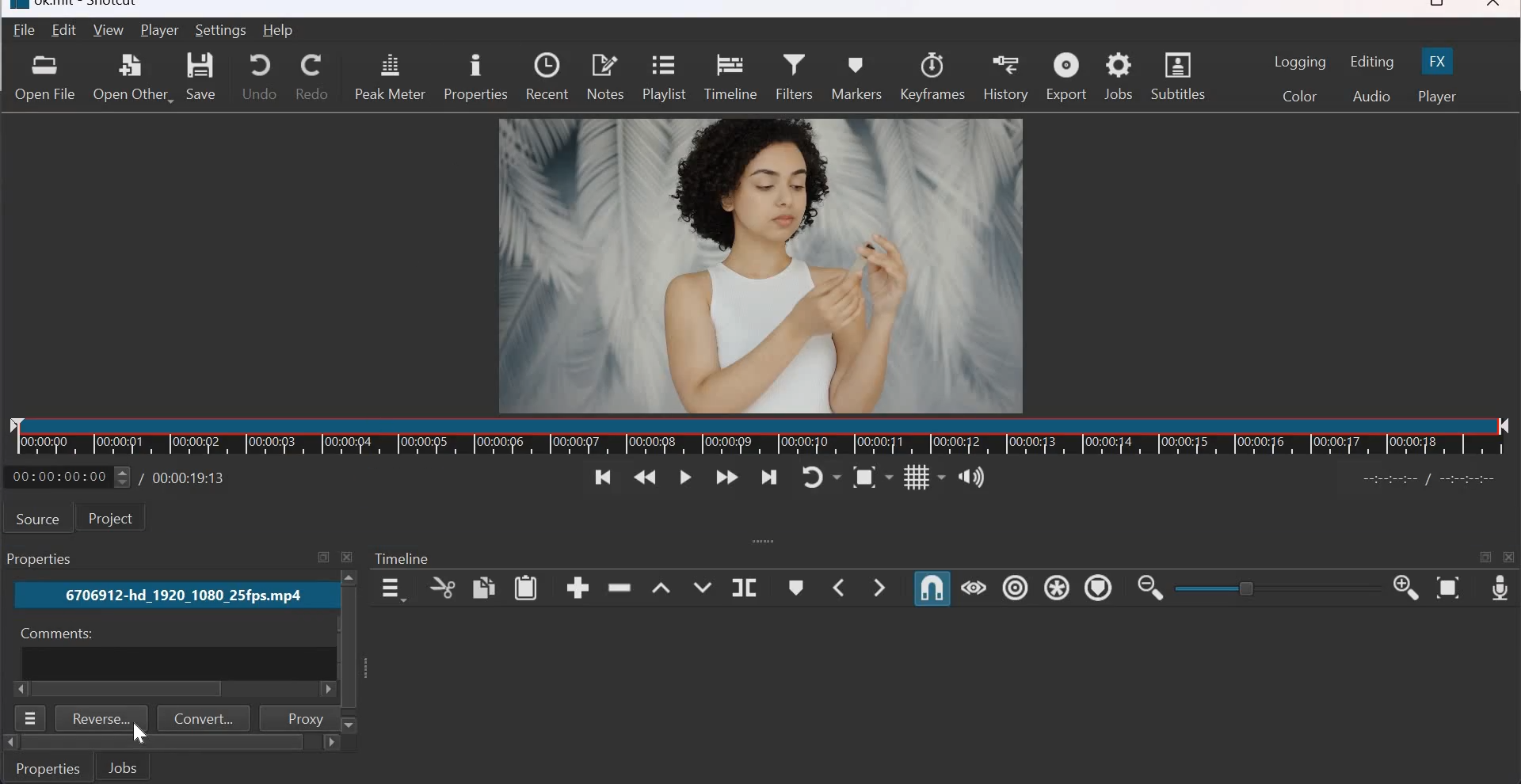  What do you see at coordinates (54, 634) in the screenshot?
I see `comments:` at bounding box center [54, 634].